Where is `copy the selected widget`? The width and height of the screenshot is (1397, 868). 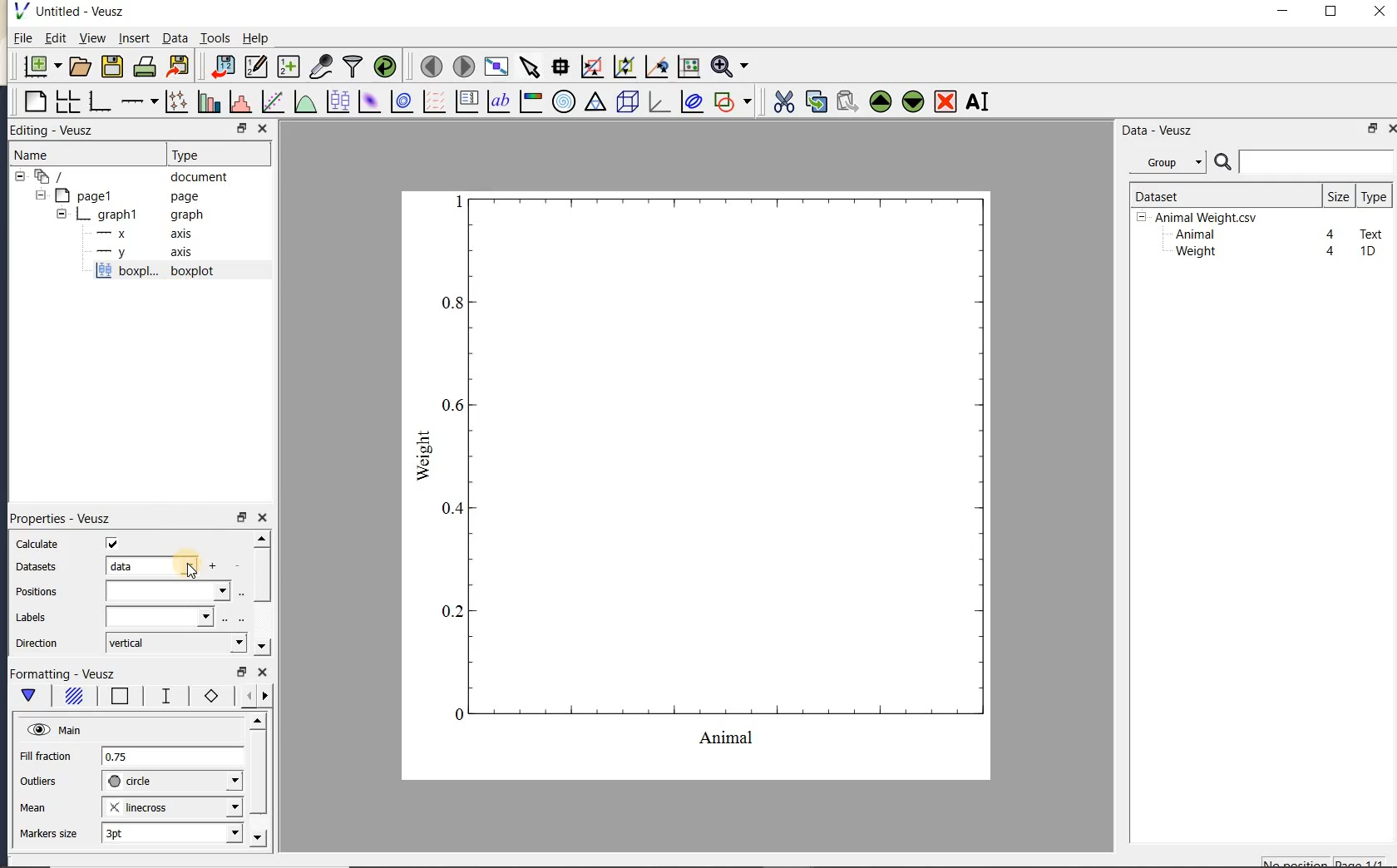
copy the selected widget is located at coordinates (814, 101).